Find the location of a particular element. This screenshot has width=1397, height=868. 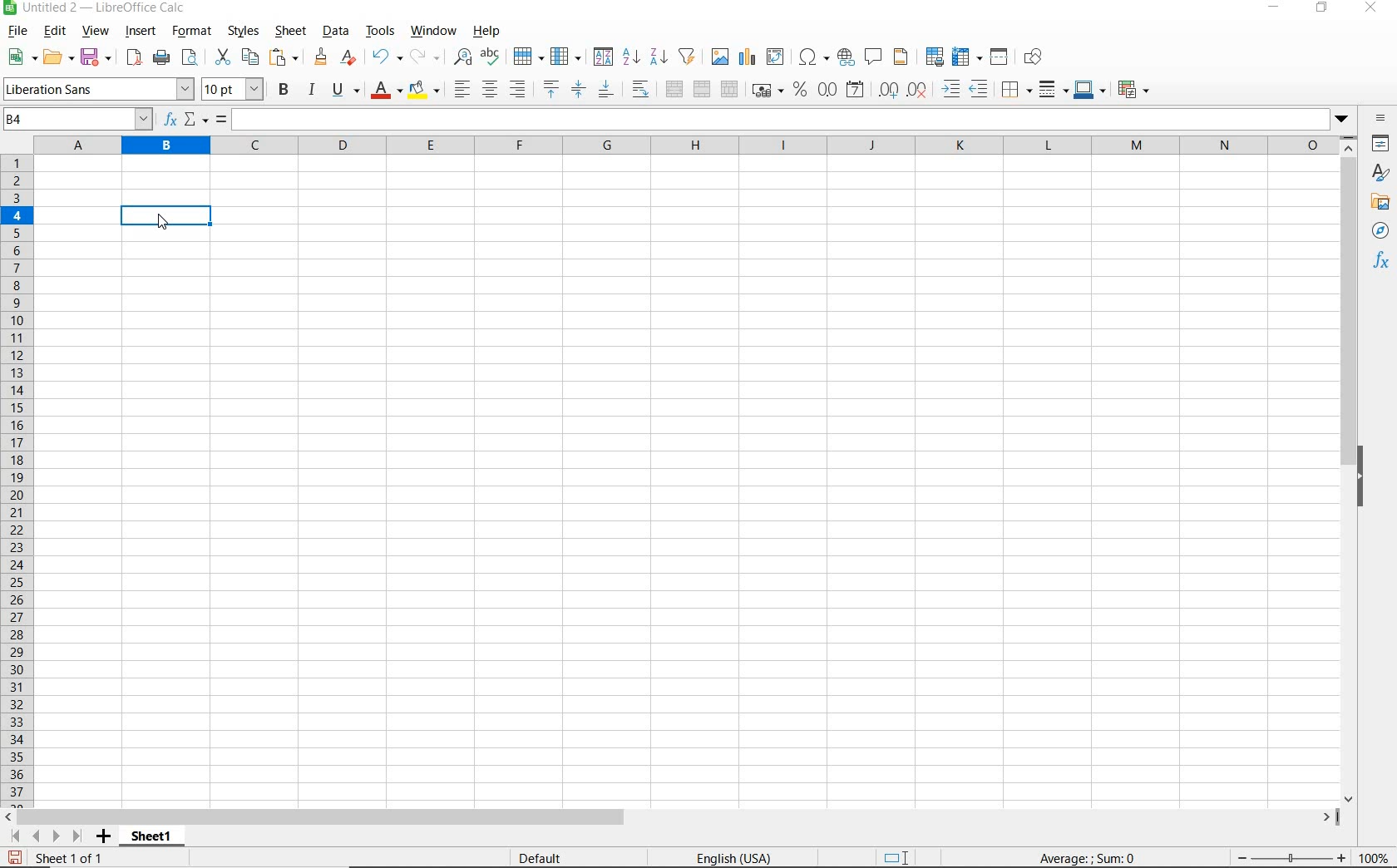

format as percent is located at coordinates (799, 91).